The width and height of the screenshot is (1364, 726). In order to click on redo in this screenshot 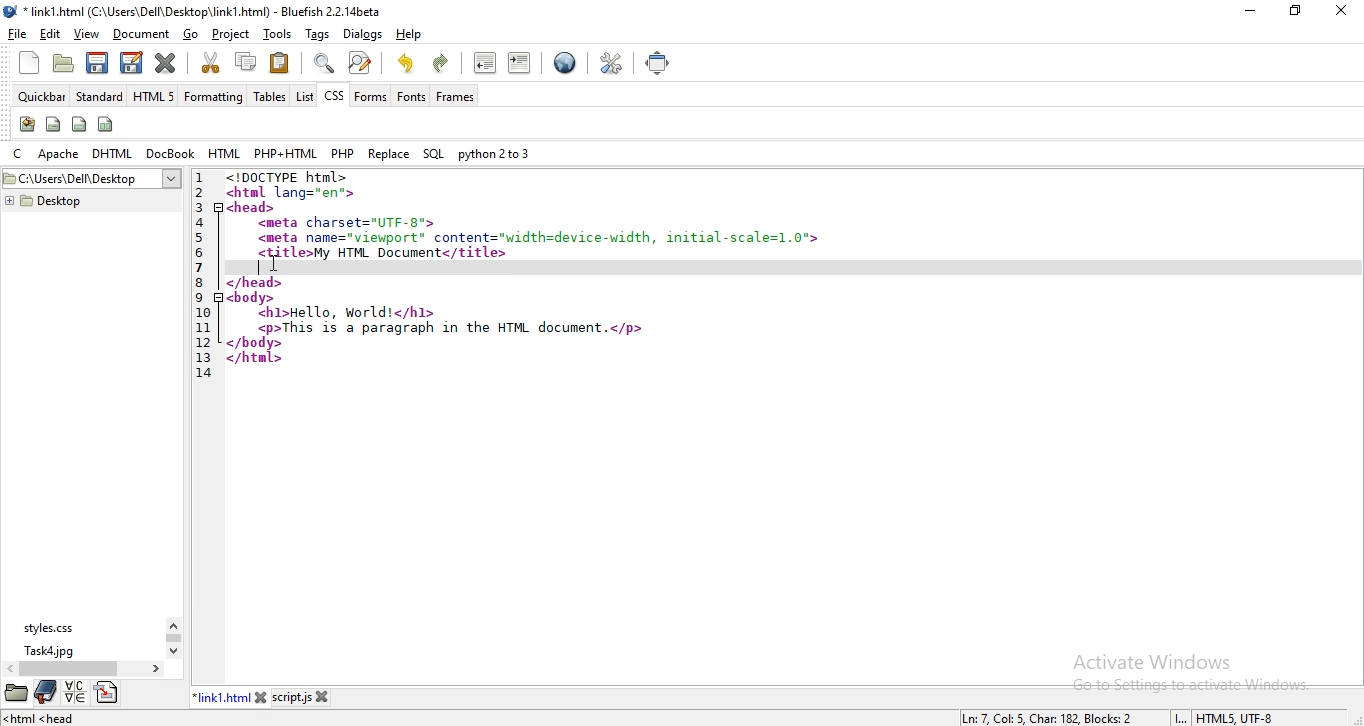, I will do `click(441, 64)`.